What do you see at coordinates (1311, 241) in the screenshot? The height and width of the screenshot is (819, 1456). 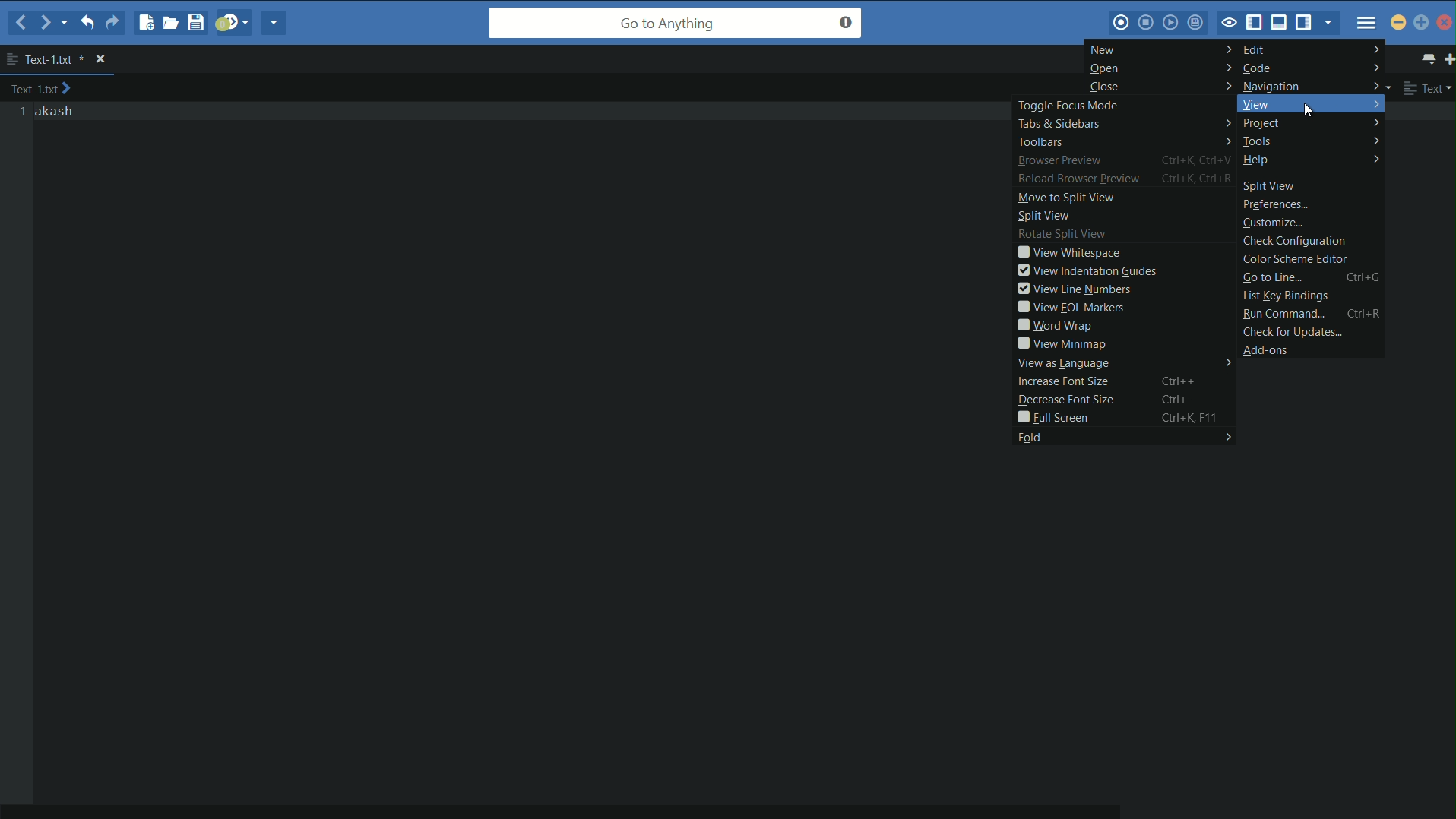 I see `check configuration` at bounding box center [1311, 241].